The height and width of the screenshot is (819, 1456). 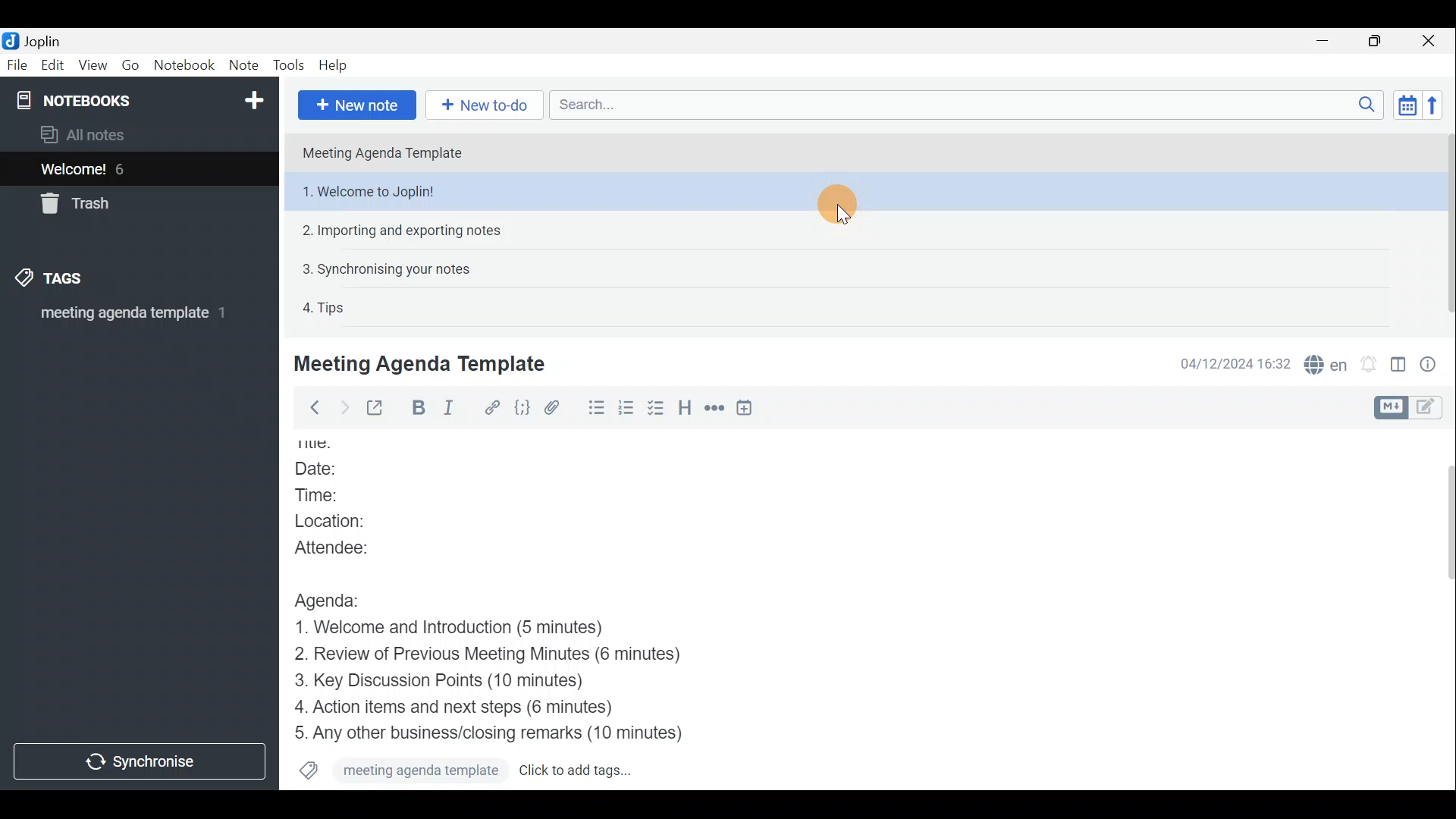 What do you see at coordinates (348, 521) in the screenshot?
I see `Location:` at bounding box center [348, 521].